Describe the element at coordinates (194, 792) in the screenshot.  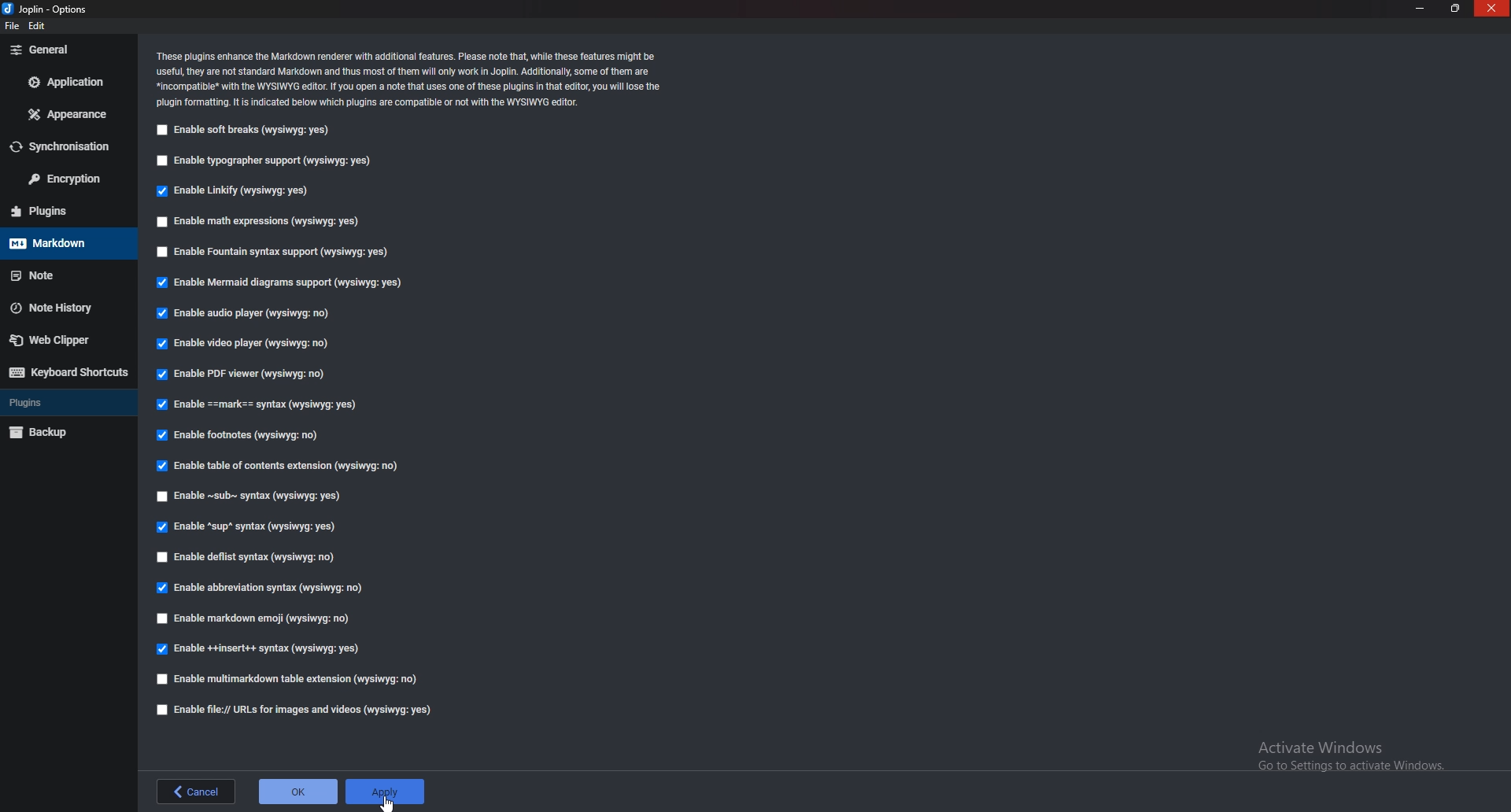
I see `back` at that location.